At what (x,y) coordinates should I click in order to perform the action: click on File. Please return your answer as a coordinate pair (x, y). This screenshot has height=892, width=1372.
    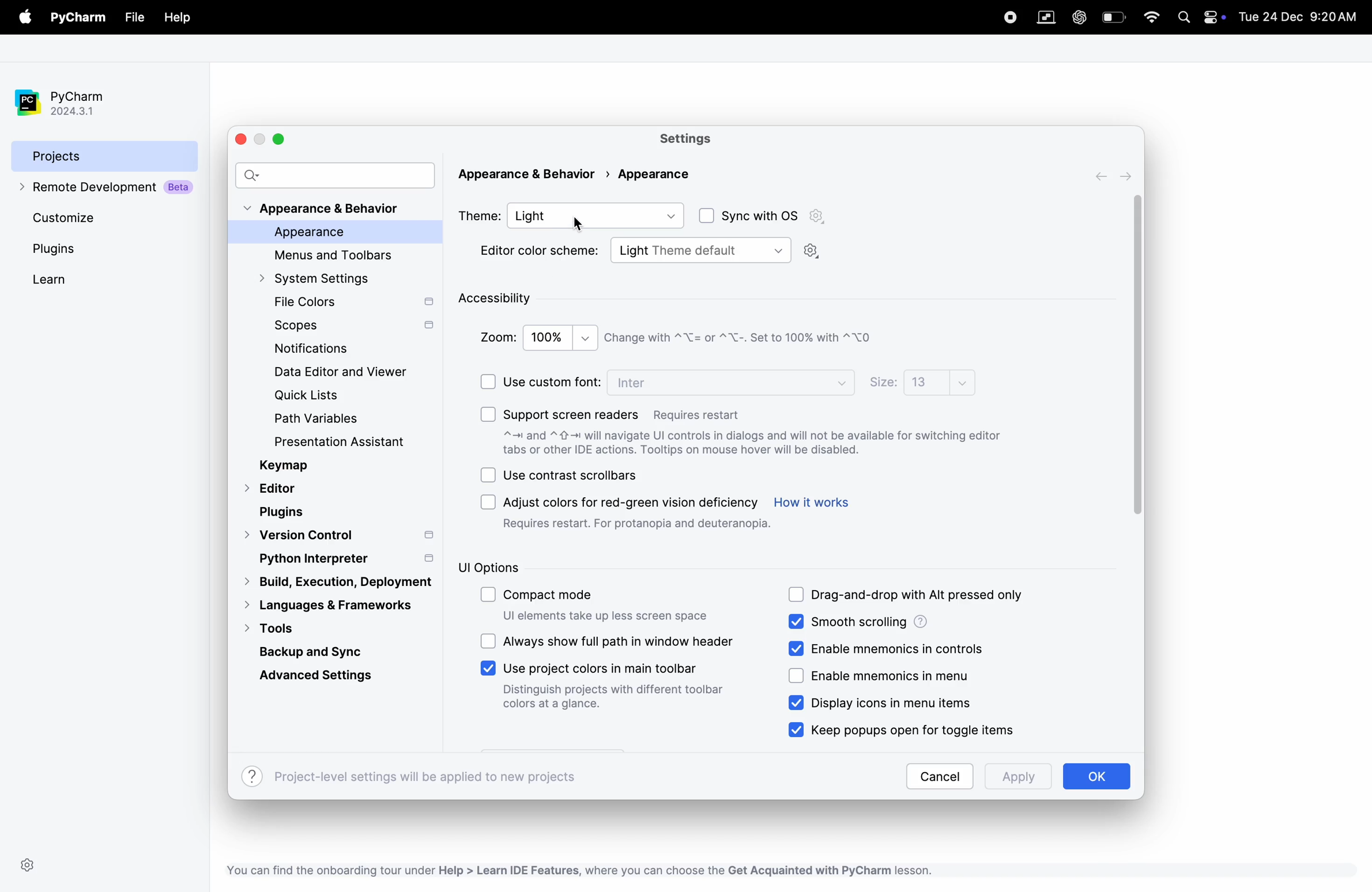
    Looking at the image, I should click on (133, 18).